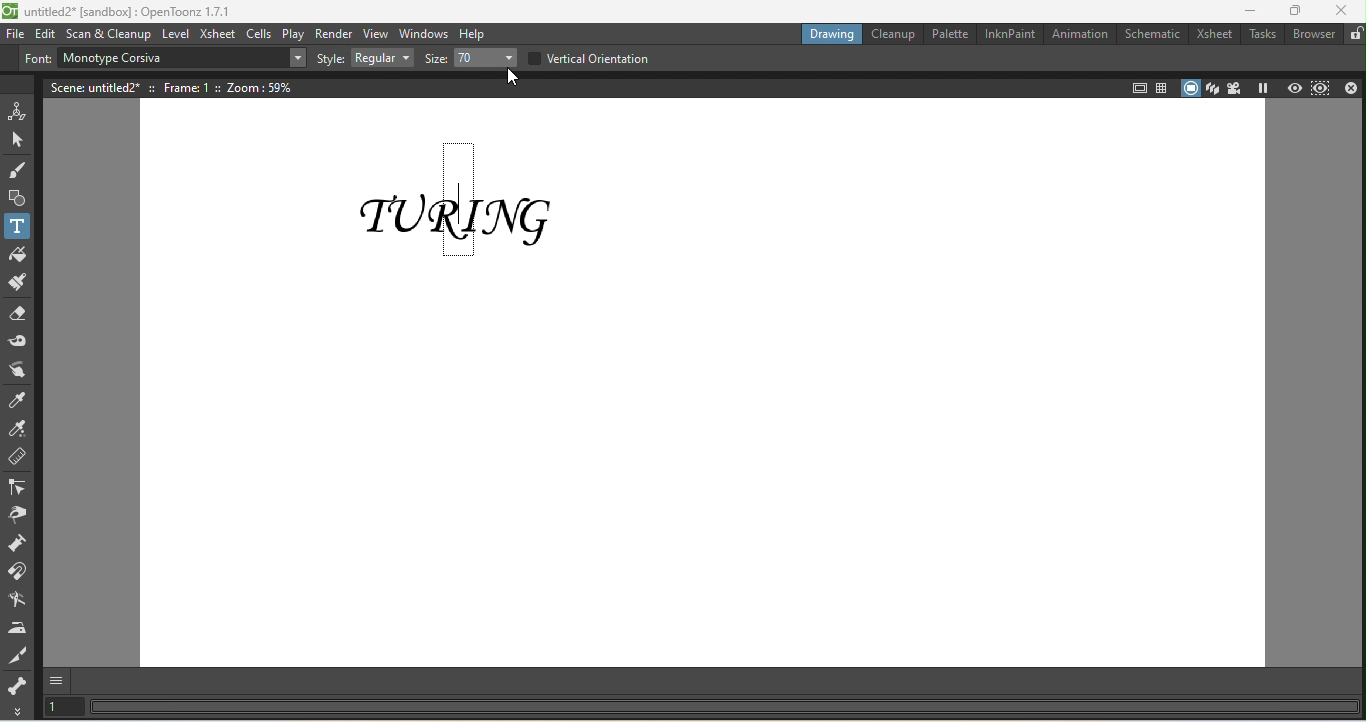  What do you see at coordinates (588, 56) in the screenshot?
I see `Vertical orientation` at bounding box center [588, 56].